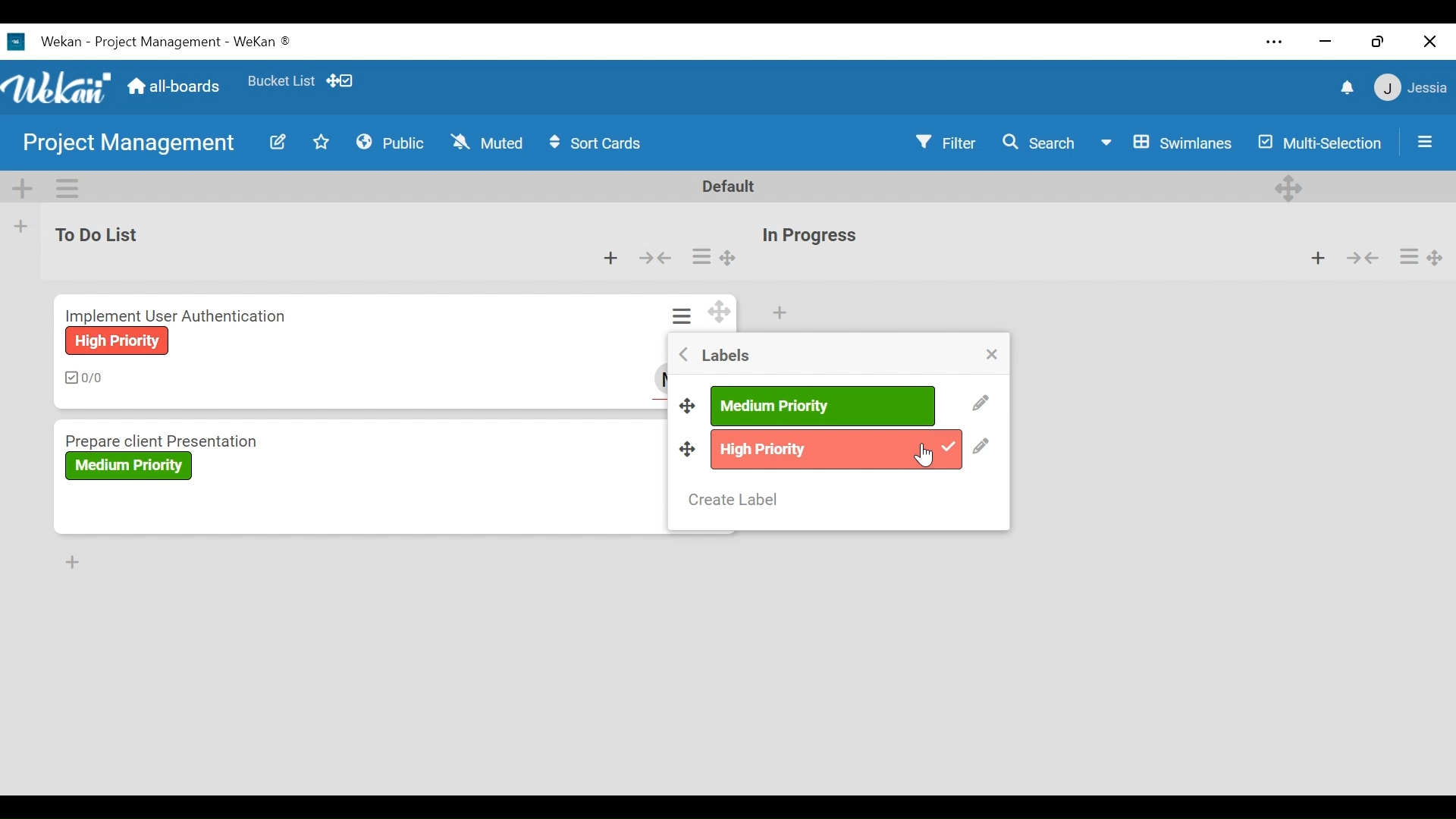 The width and height of the screenshot is (1456, 819). Describe the element at coordinates (688, 450) in the screenshot. I see `Desktop drag handles` at that location.